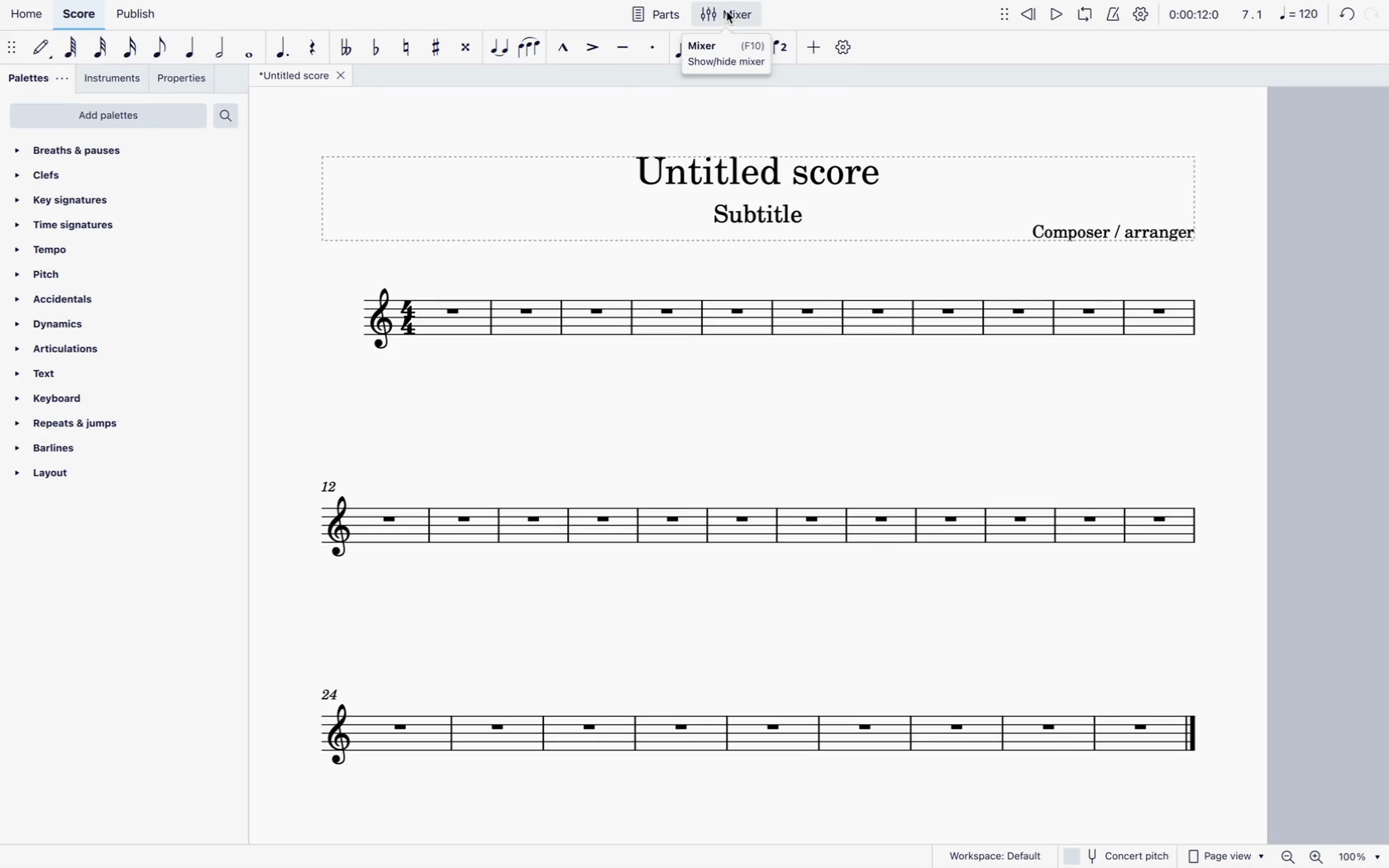 The height and width of the screenshot is (868, 1389). I want to click on back, so click(1343, 14).